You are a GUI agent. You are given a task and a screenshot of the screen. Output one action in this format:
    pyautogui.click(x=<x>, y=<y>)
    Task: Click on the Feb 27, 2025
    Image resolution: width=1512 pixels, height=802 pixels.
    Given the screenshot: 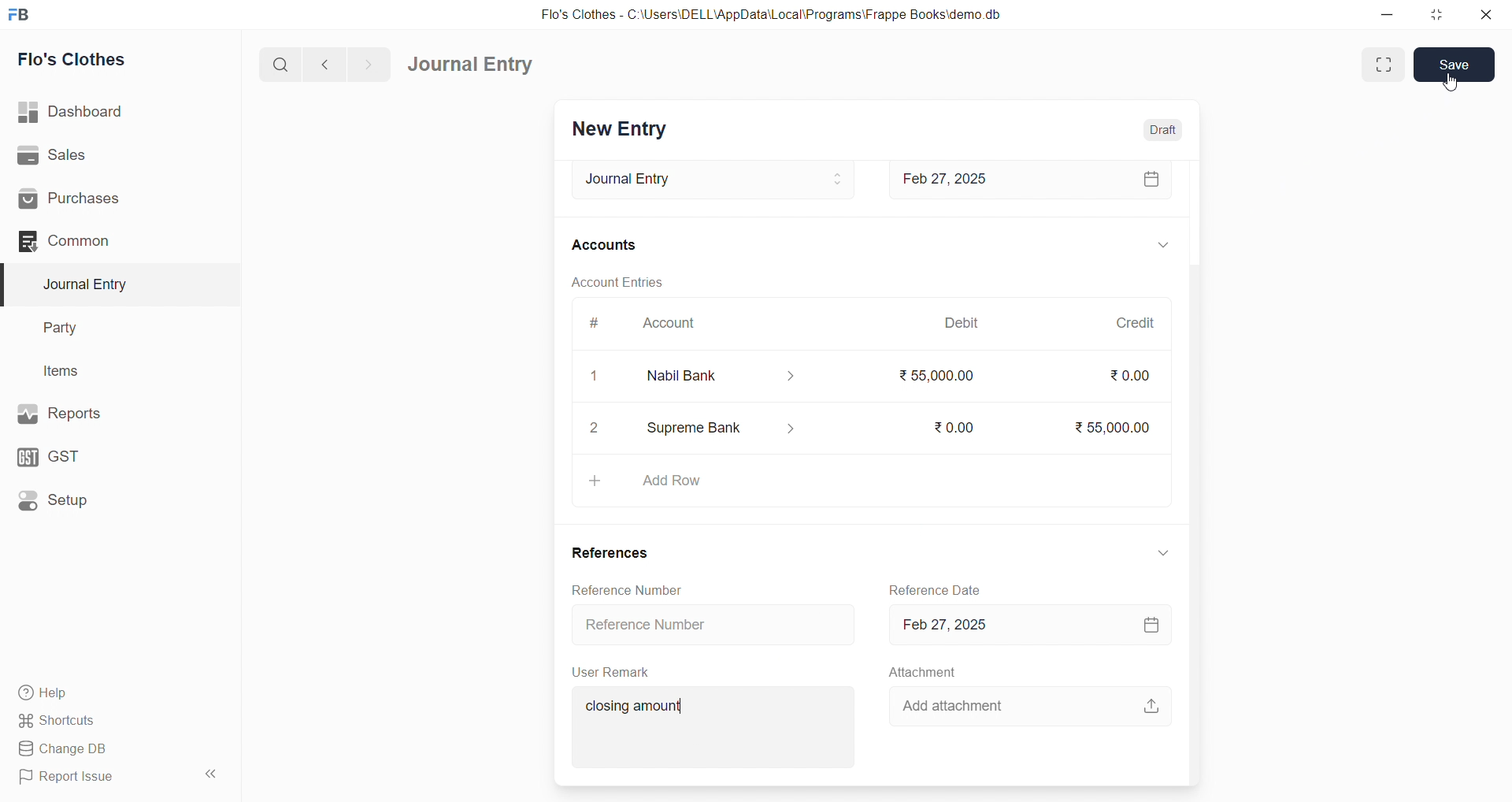 What is the action you would take?
    pyautogui.click(x=1025, y=625)
    